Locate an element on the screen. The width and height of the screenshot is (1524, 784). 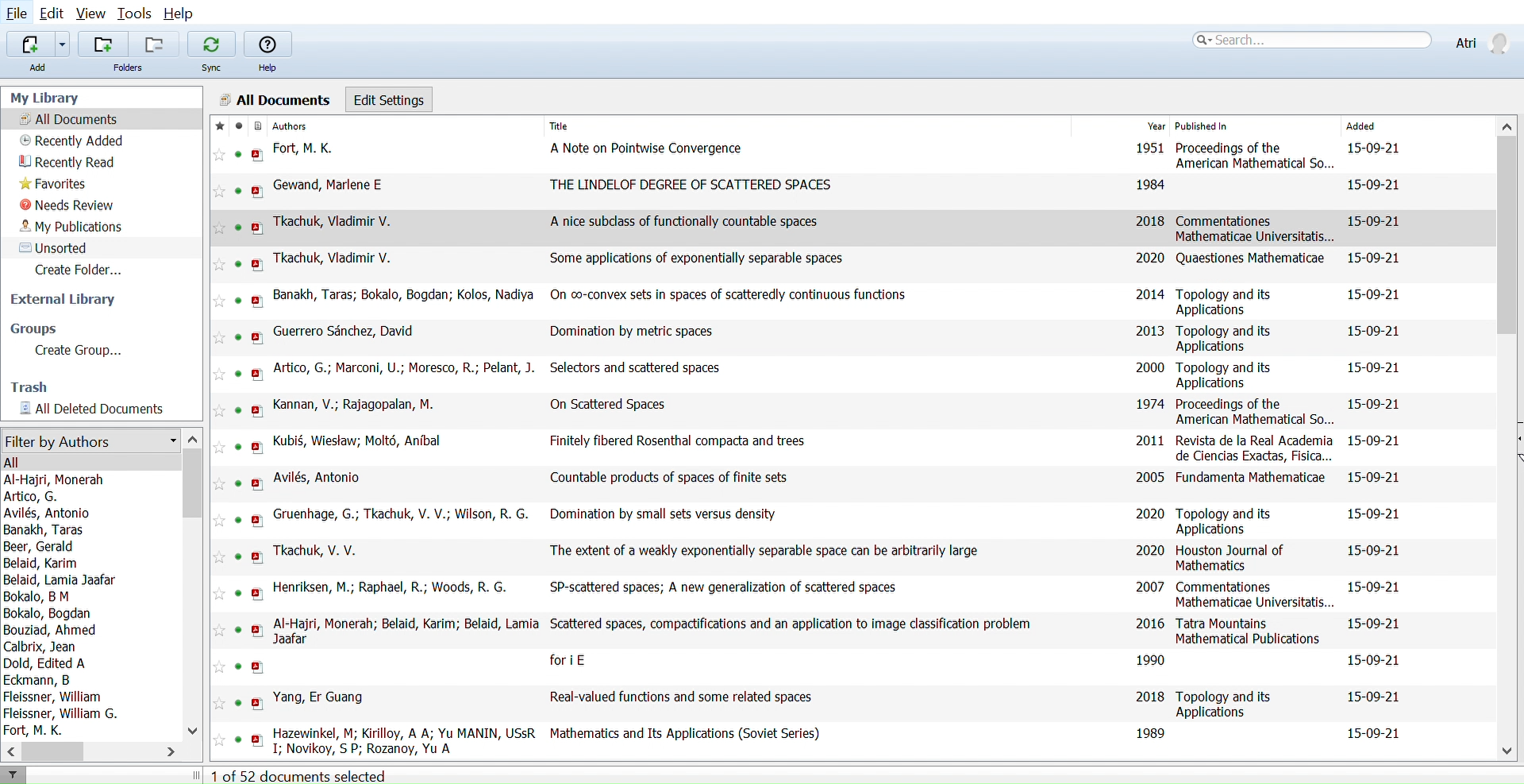
15-09-21 is located at coordinates (1378, 149).